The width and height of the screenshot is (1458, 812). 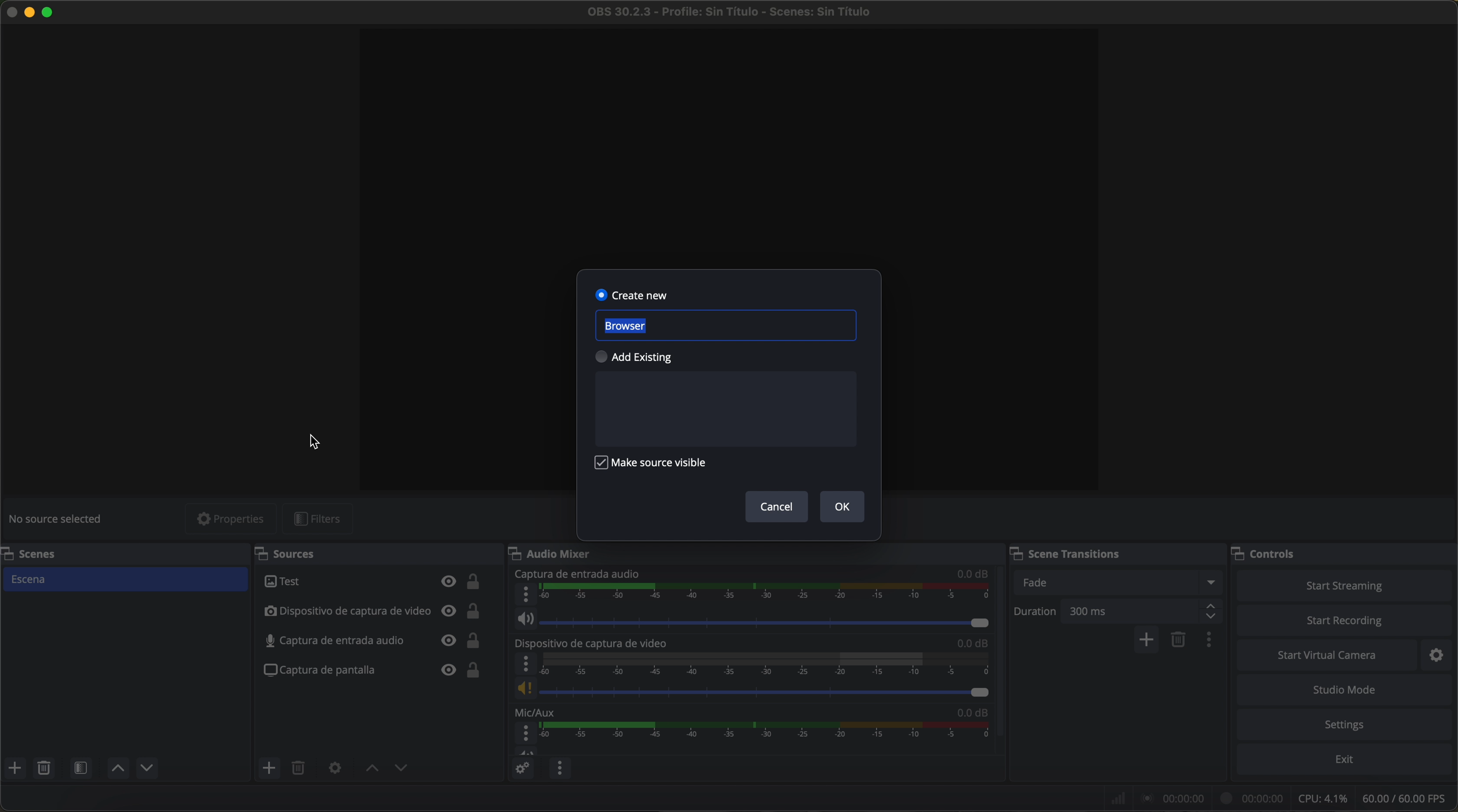 I want to click on move sources up, so click(x=118, y=768).